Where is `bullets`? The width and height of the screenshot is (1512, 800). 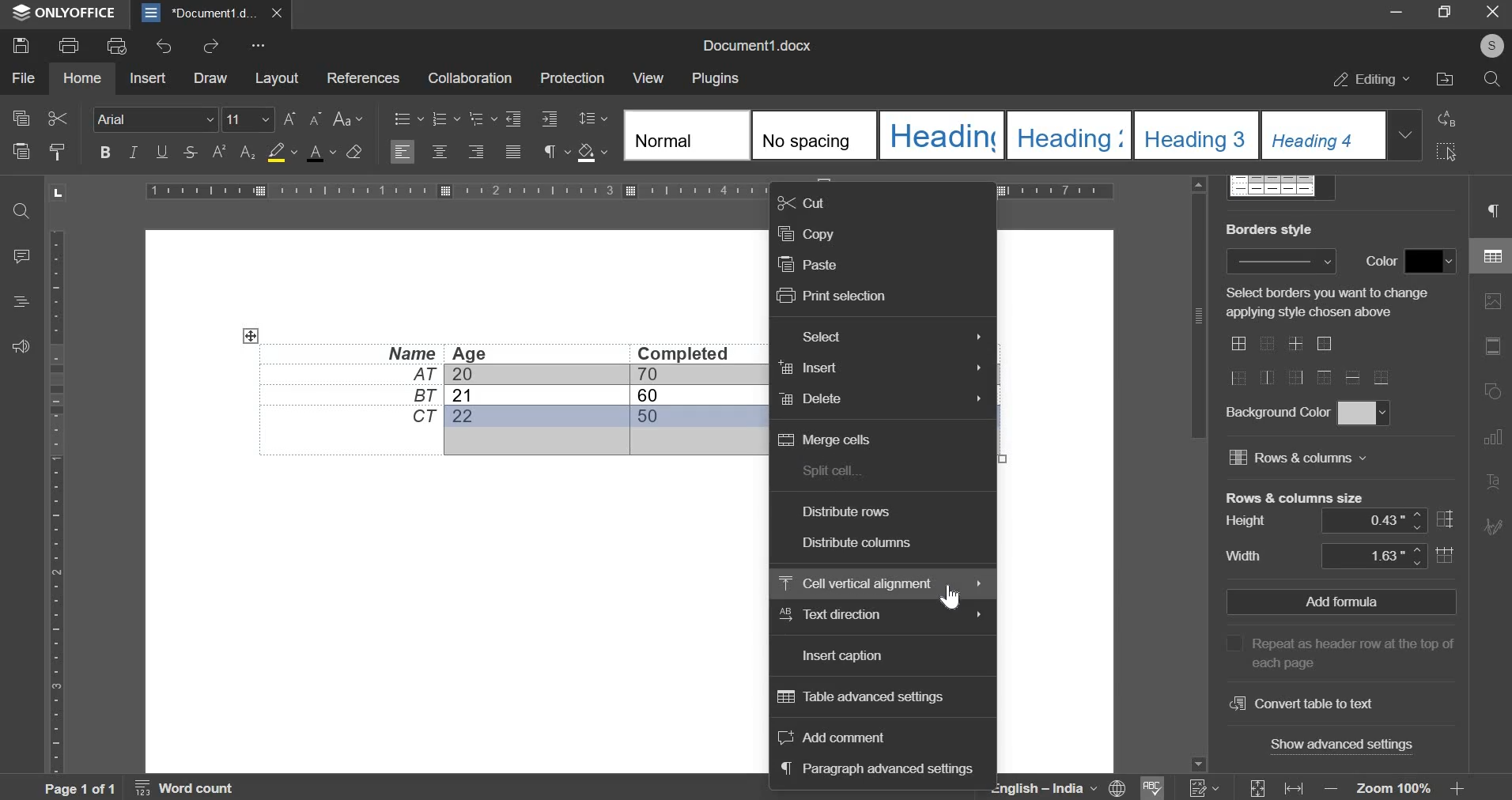
bullets is located at coordinates (408, 117).